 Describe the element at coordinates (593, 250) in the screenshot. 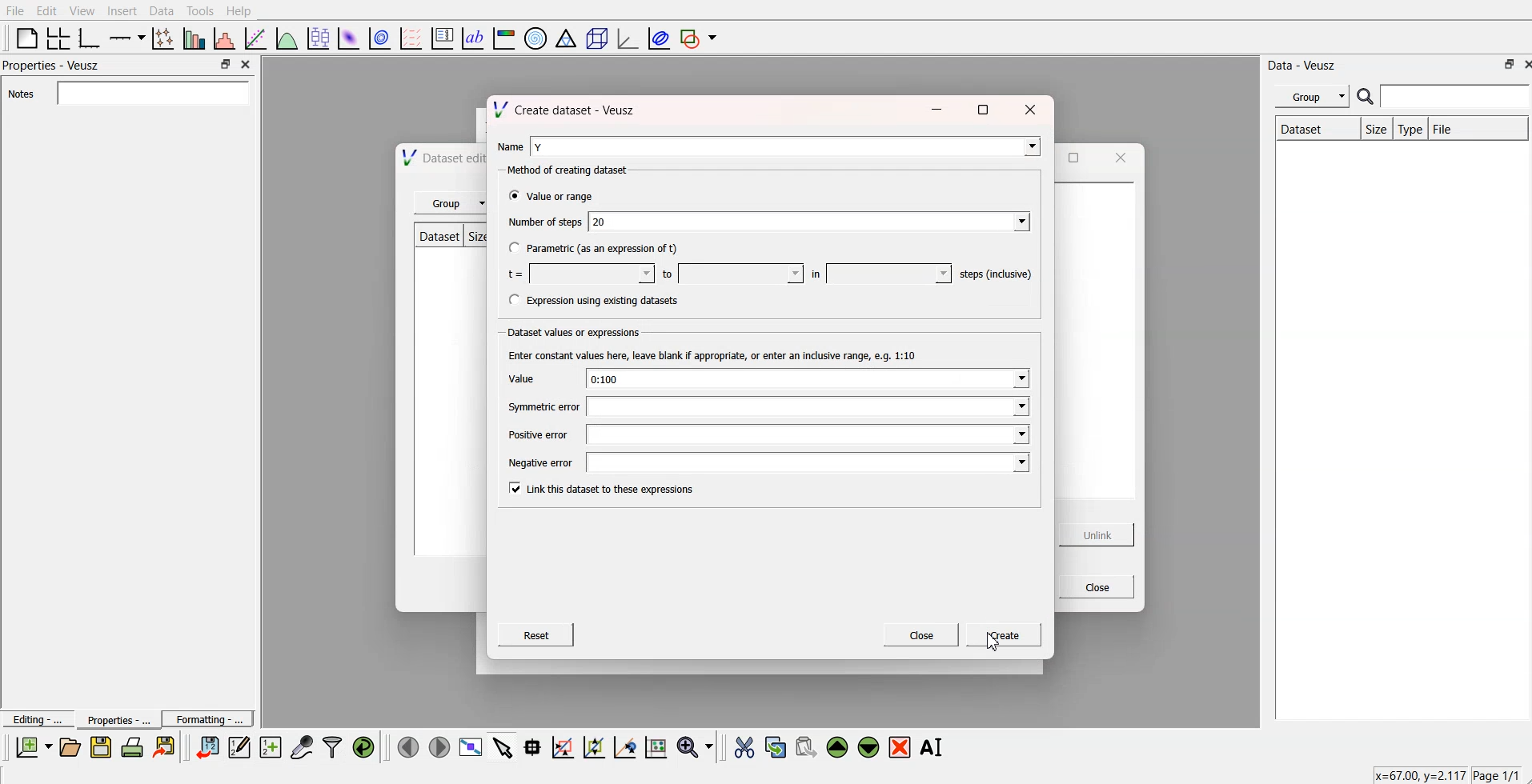

I see `("Parametric (as an expression of t)` at that location.